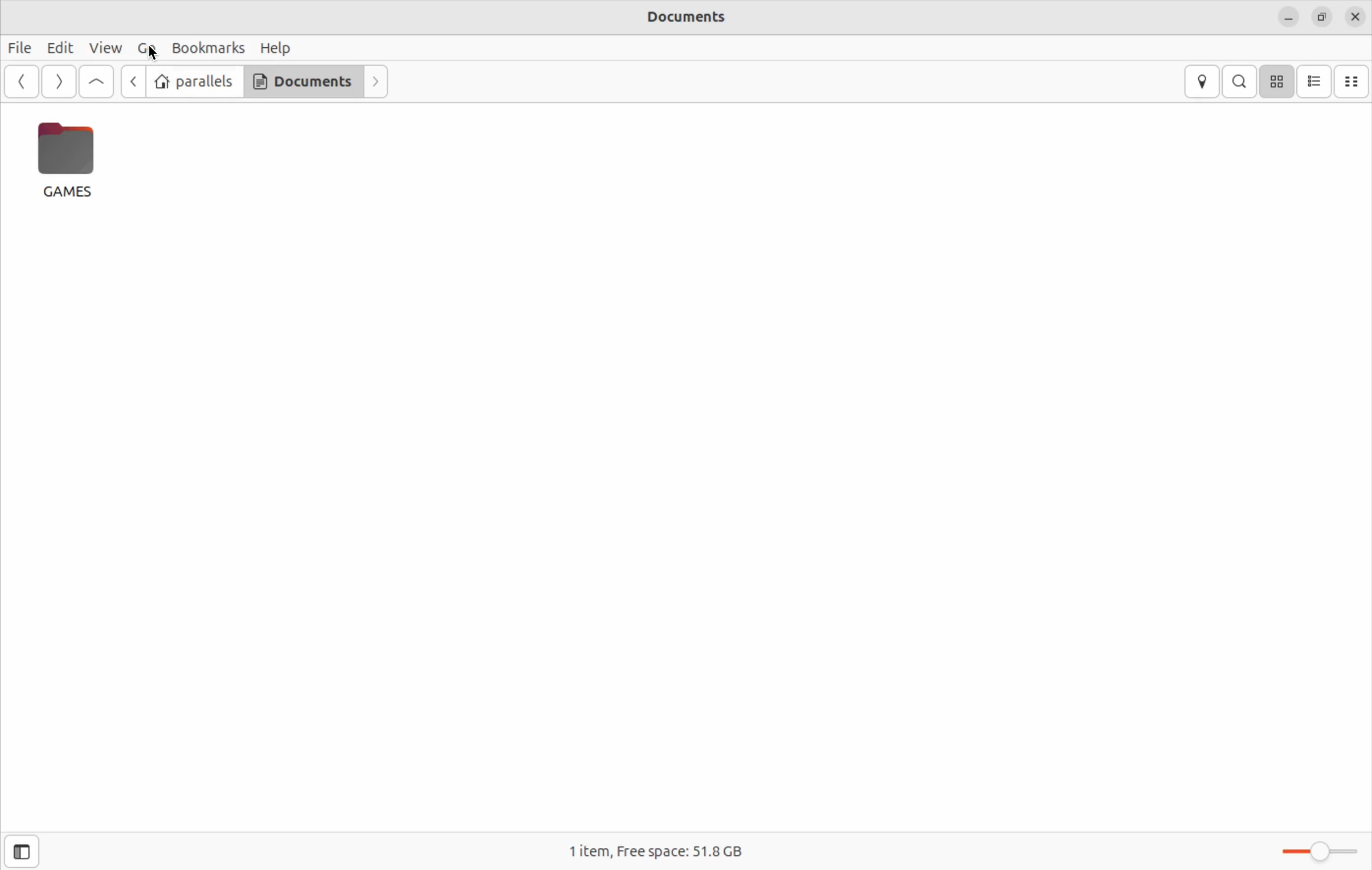 Image resolution: width=1372 pixels, height=870 pixels. What do you see at coordinates (304, 80) in the screenshot?
I see `Documents` at bounding box center [304, 80].